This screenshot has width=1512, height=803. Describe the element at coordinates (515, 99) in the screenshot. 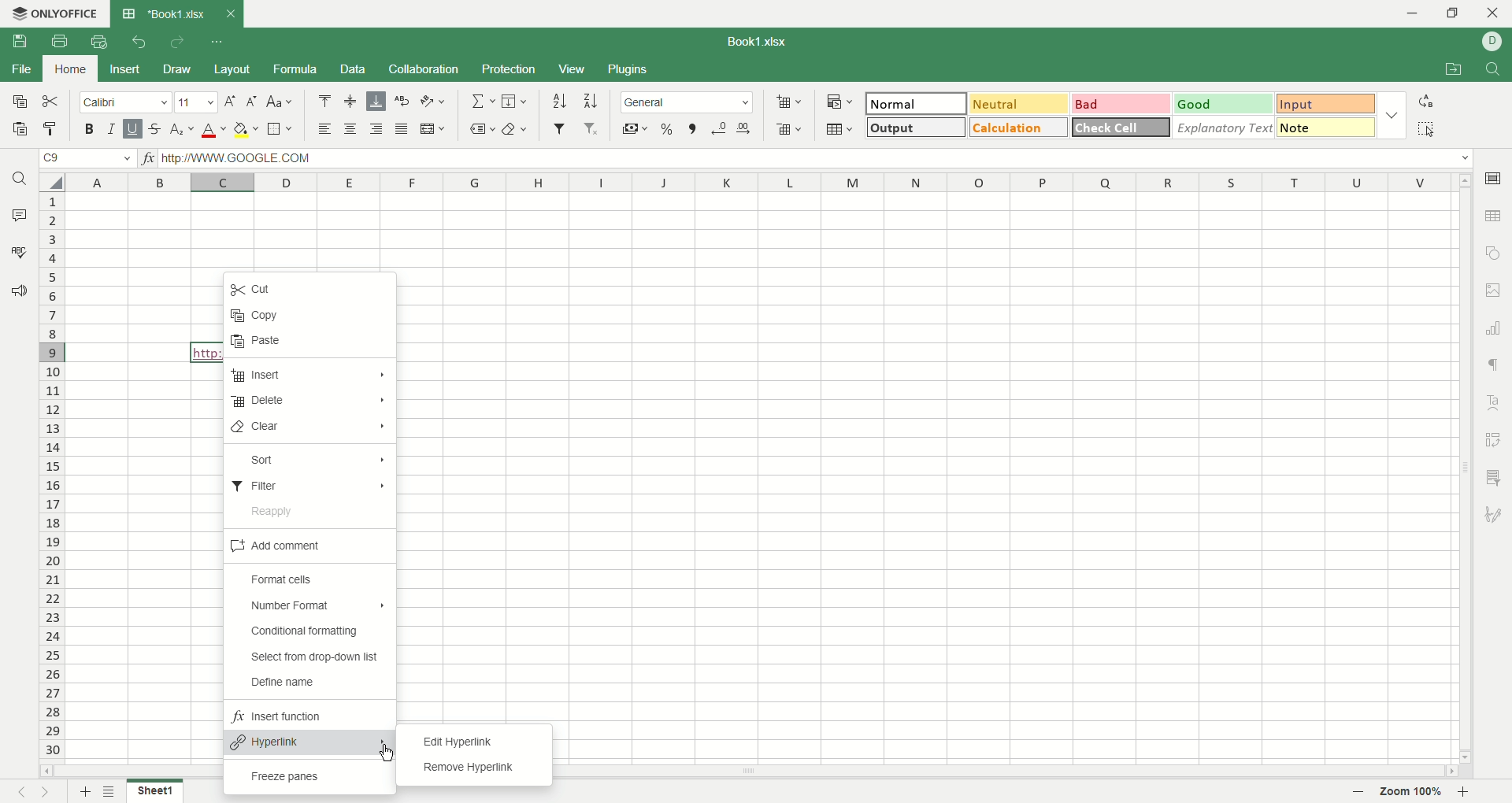

I see `fill` at that location.